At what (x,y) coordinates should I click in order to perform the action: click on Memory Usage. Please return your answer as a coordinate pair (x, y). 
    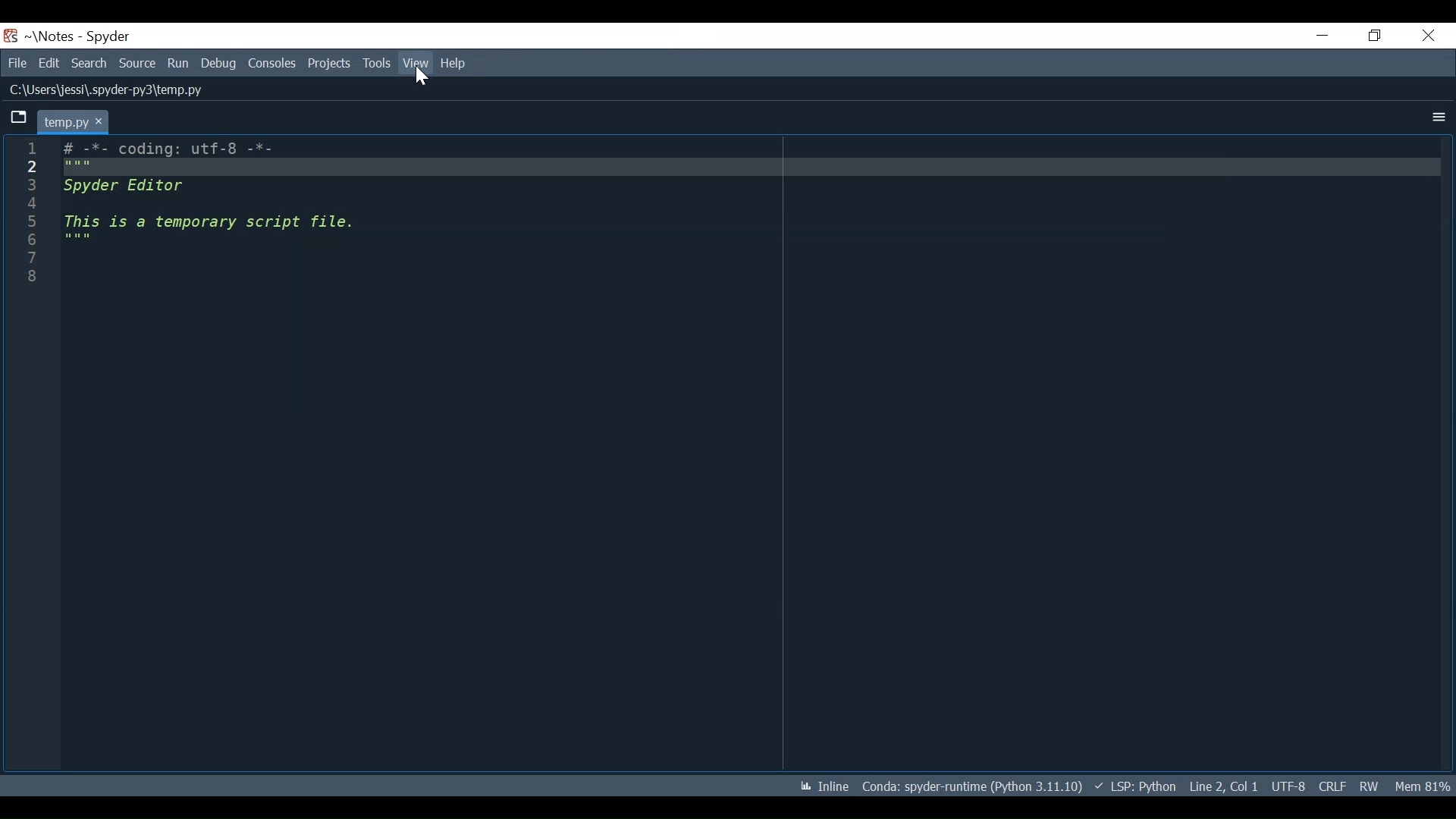
    Looking at the image, I should click on (1424, 786).